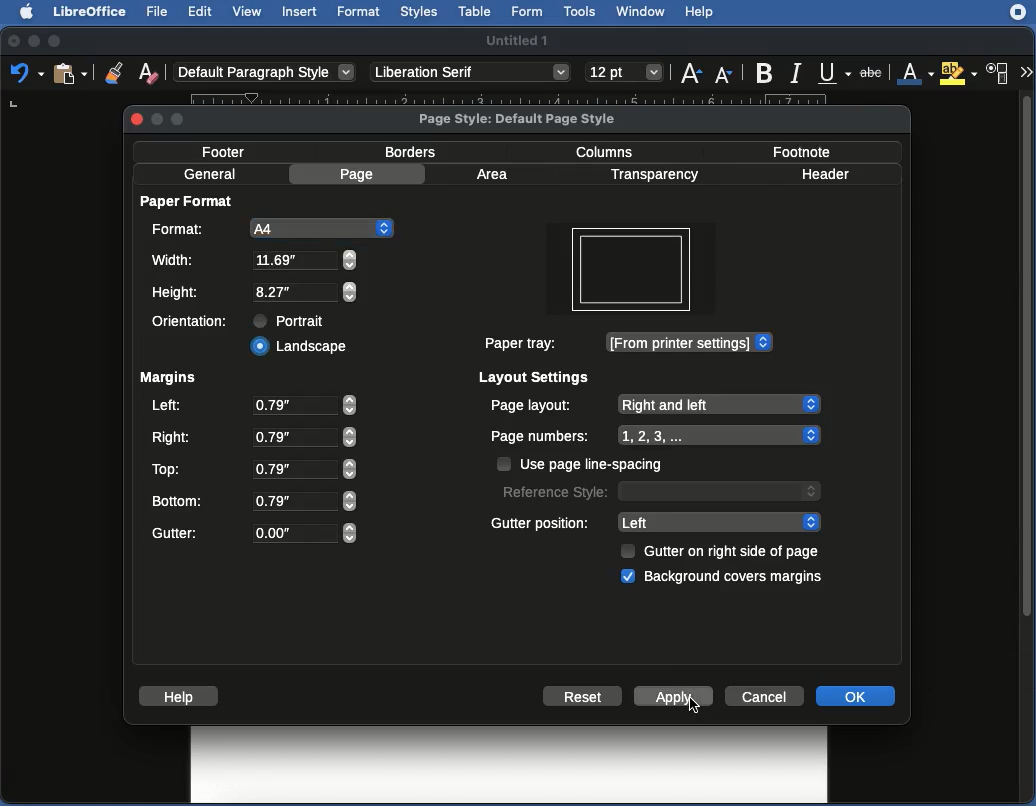 This screenshot has height=806, width=1036. Describe the element at coordinates (523, 119) in the screenshot. I see `Page style: Default page style` at that location.